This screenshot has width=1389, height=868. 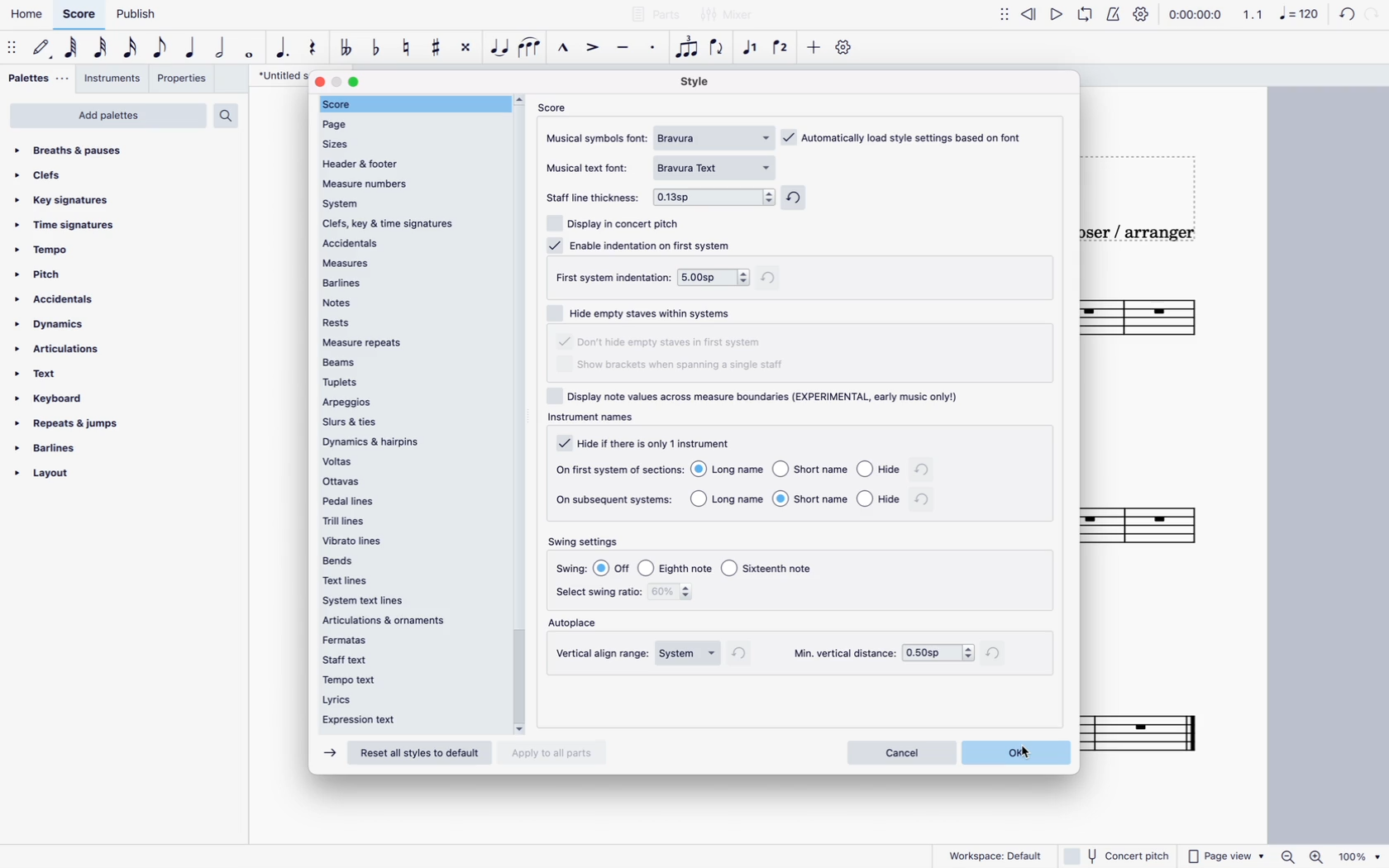 I want to click on Cursor, so click(x=1026, y=752).